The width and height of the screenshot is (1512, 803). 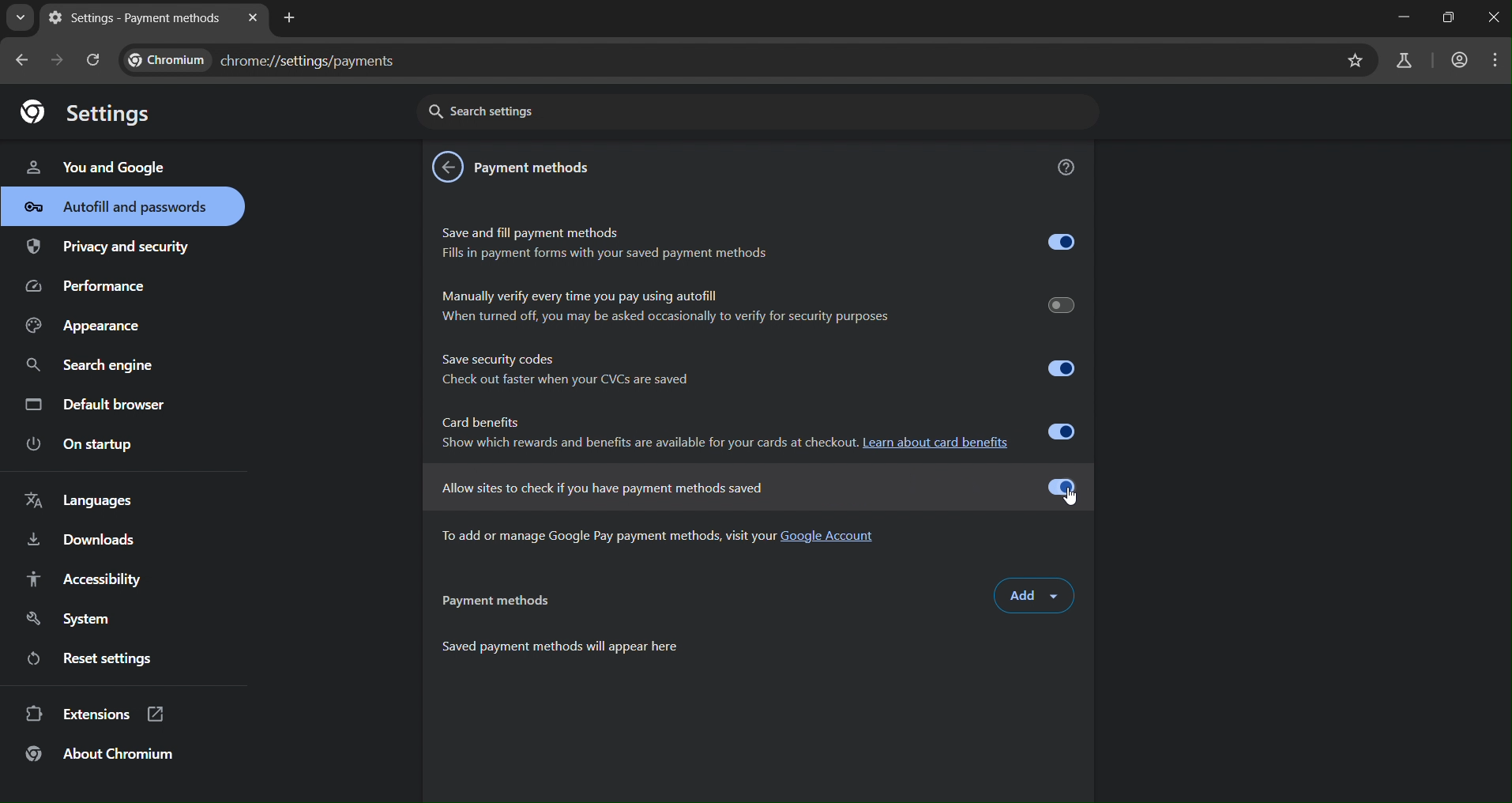 What do you see at coordinates (114, 207) in the screenshot?
I see `autofill & passwords` at bounding box center [114, 207].